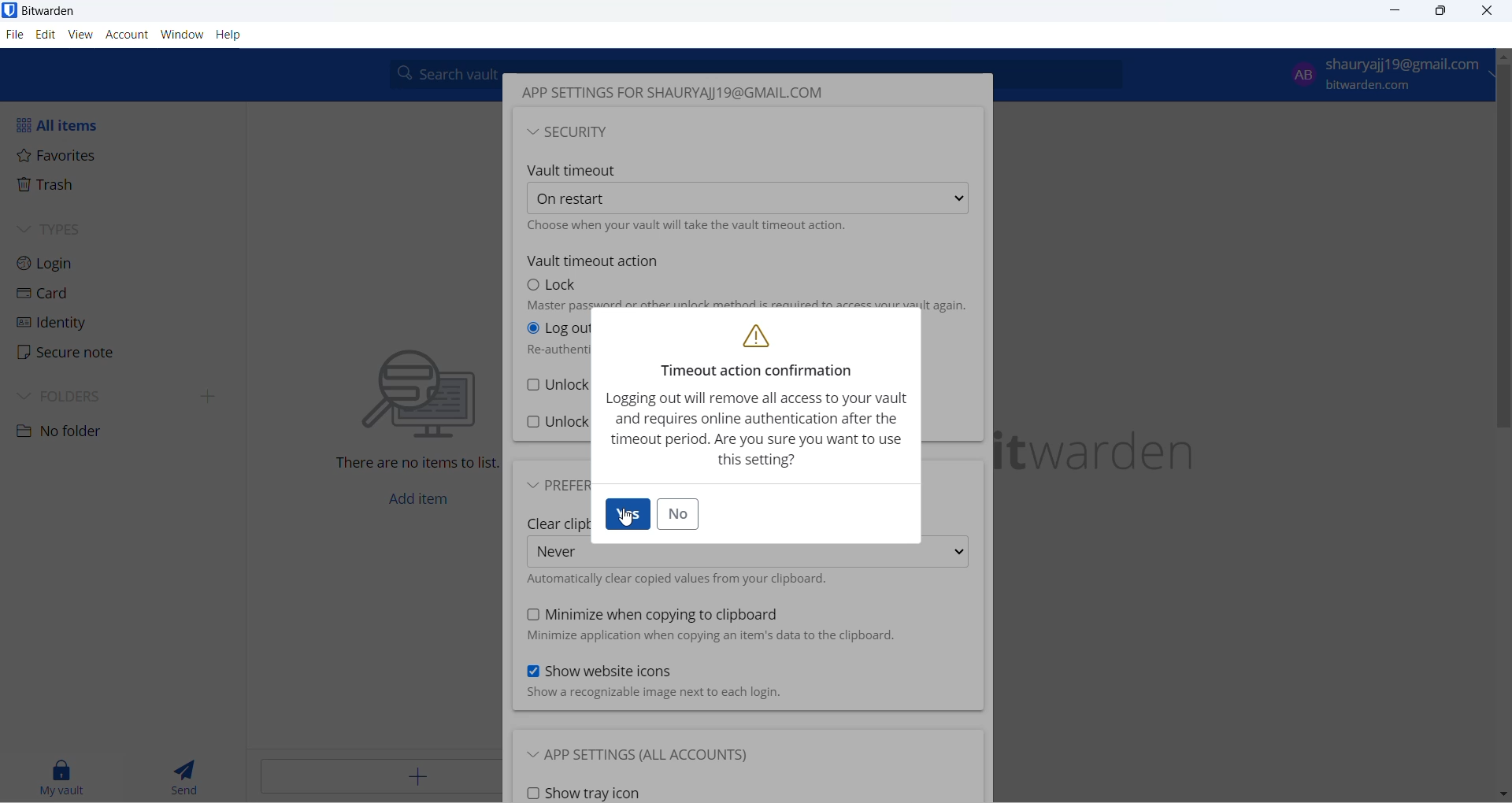 This screenshot has height=803, width=1512. I want to click on cursor, so click(629, 524).